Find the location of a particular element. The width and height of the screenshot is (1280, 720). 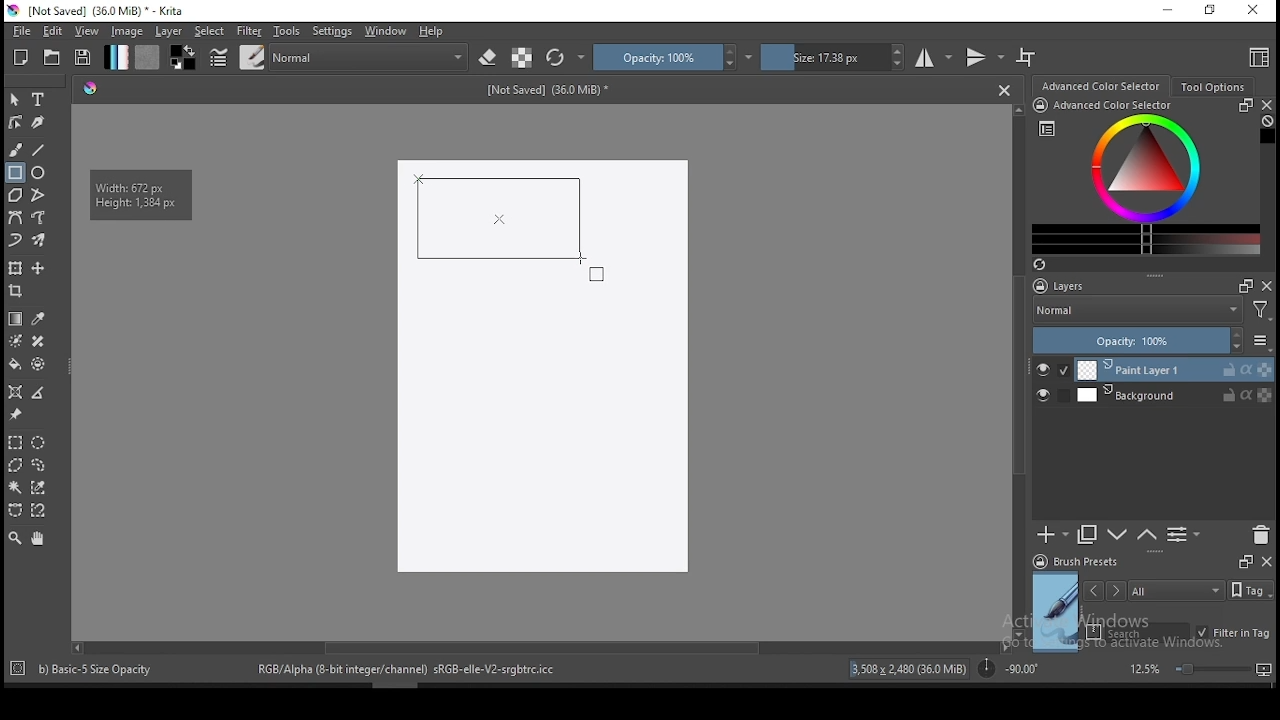

scroll bar is located at coordinates (539, 646).